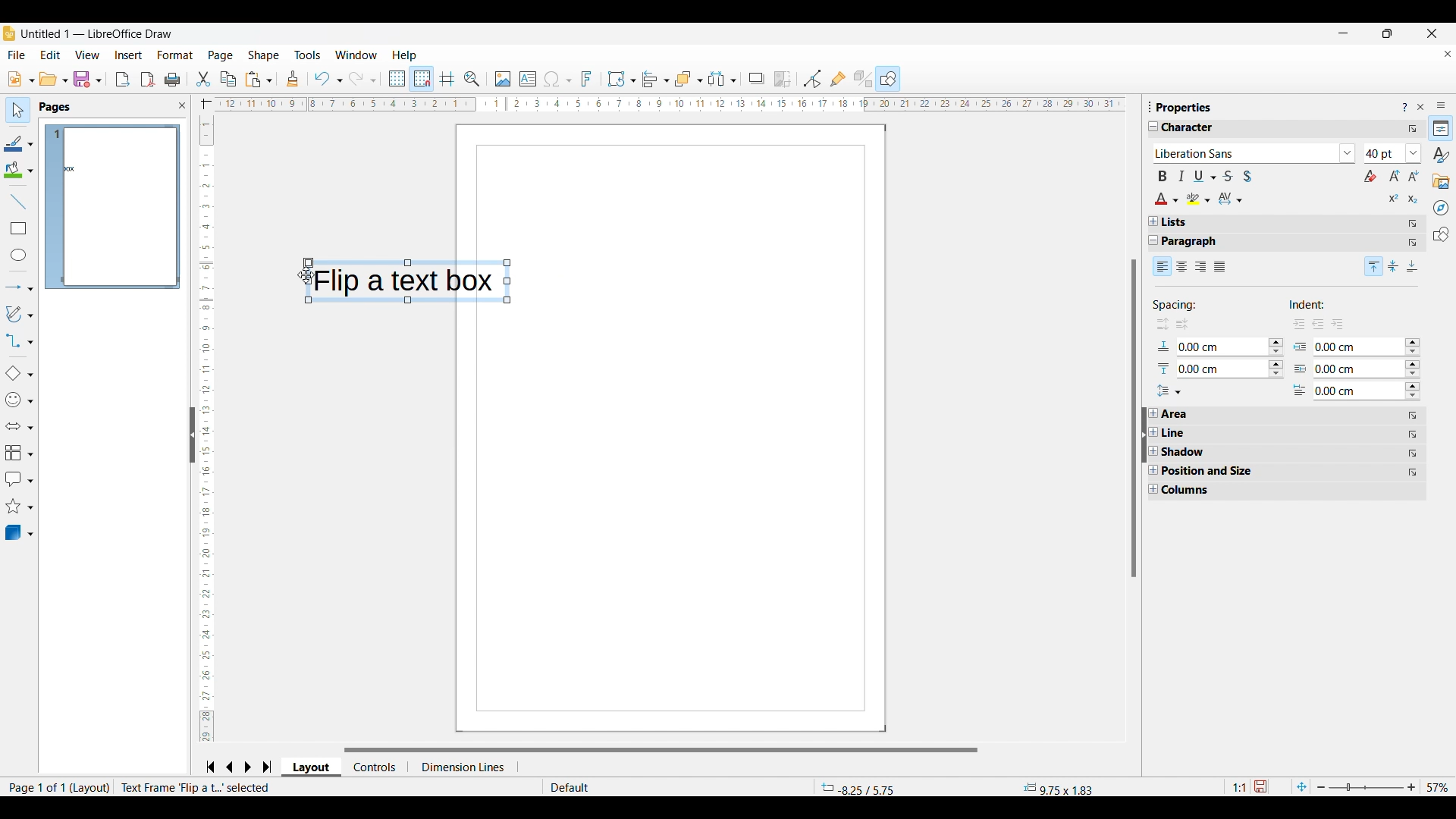  I want to click on Flowchart options, so click(20, 453).